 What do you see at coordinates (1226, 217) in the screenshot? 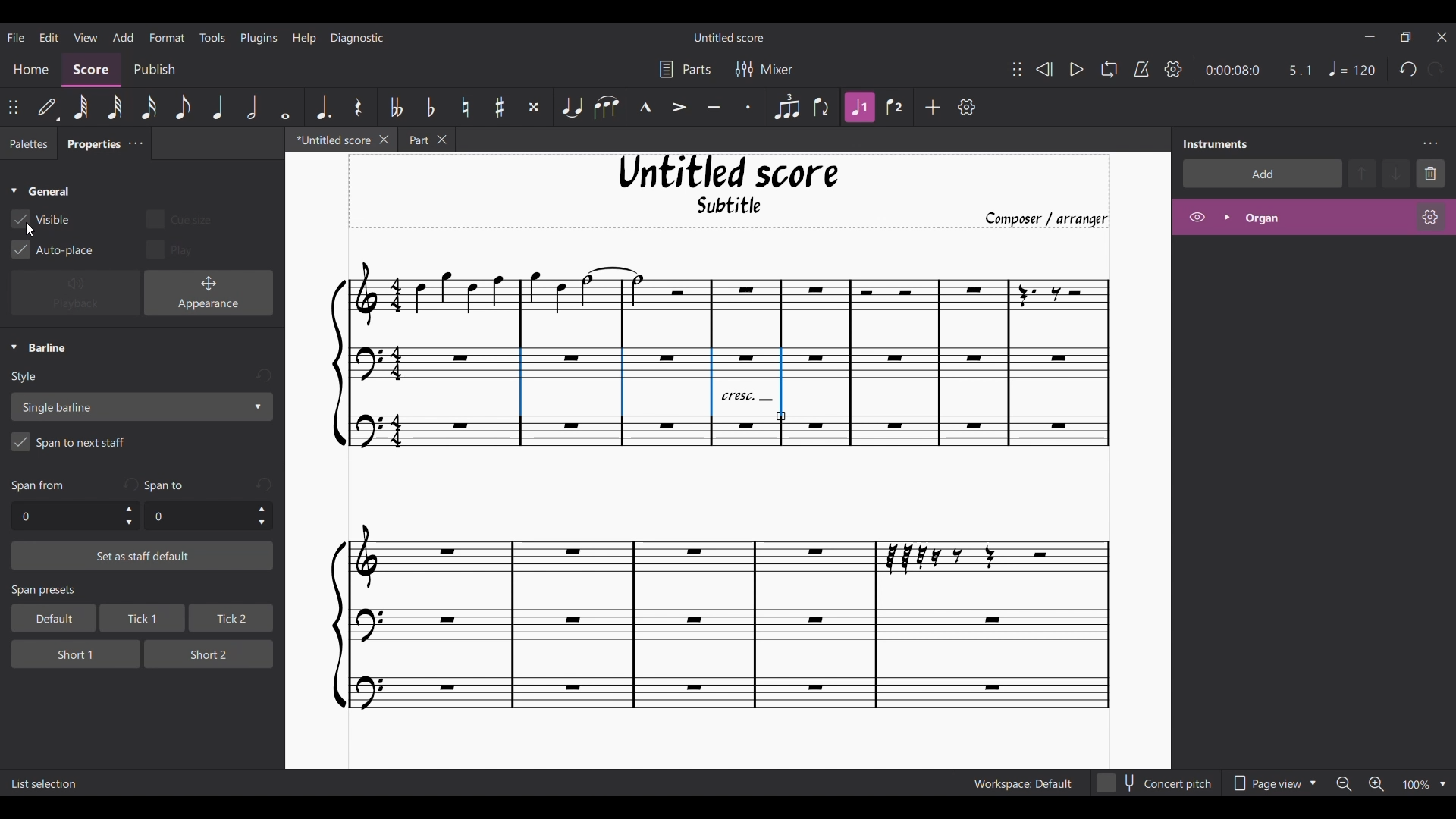
I see `Expand Organ` at bounding box center [1226, 217].